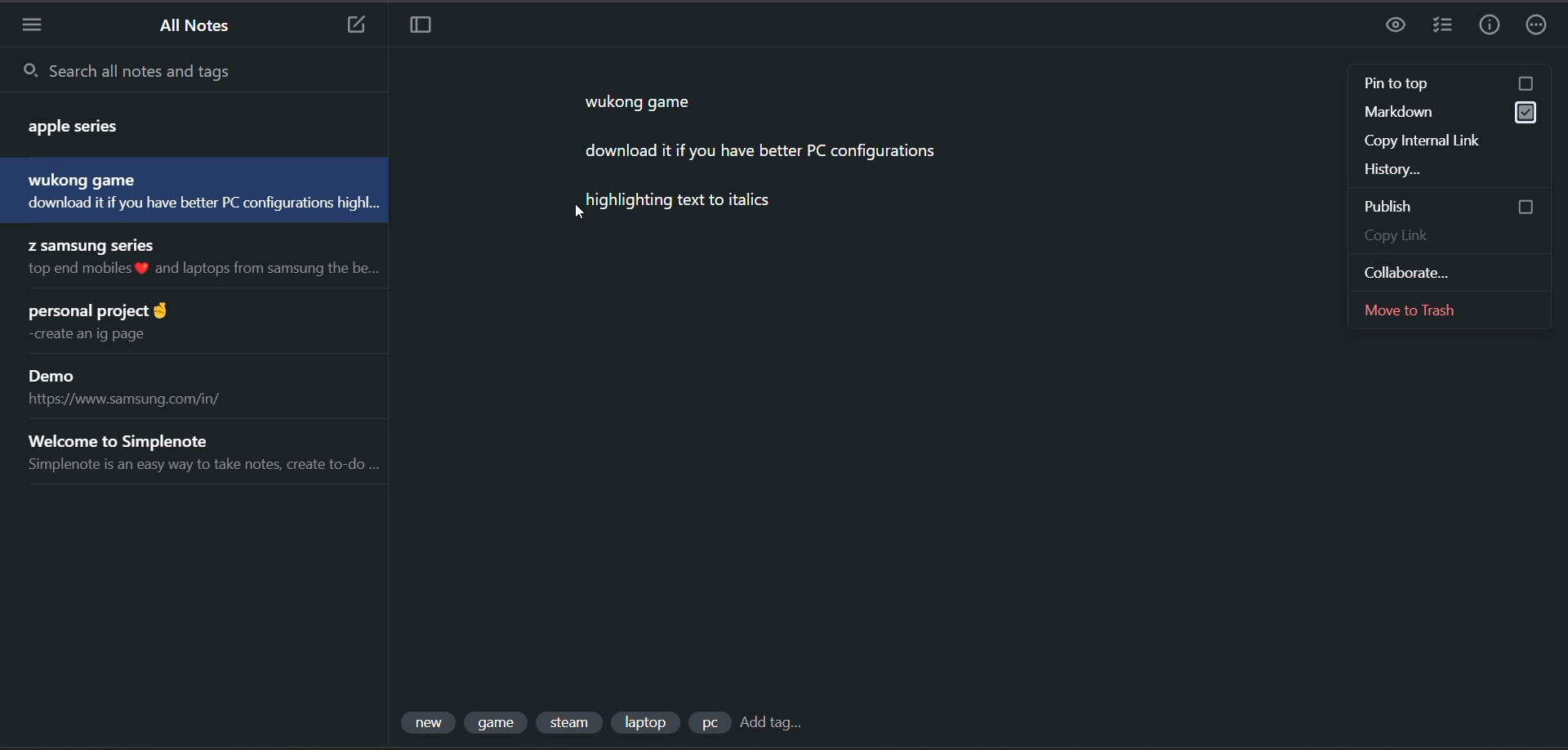 This screenshot has height=750, width=1568. I want to click on toggle focus mode, so click(421, 27).